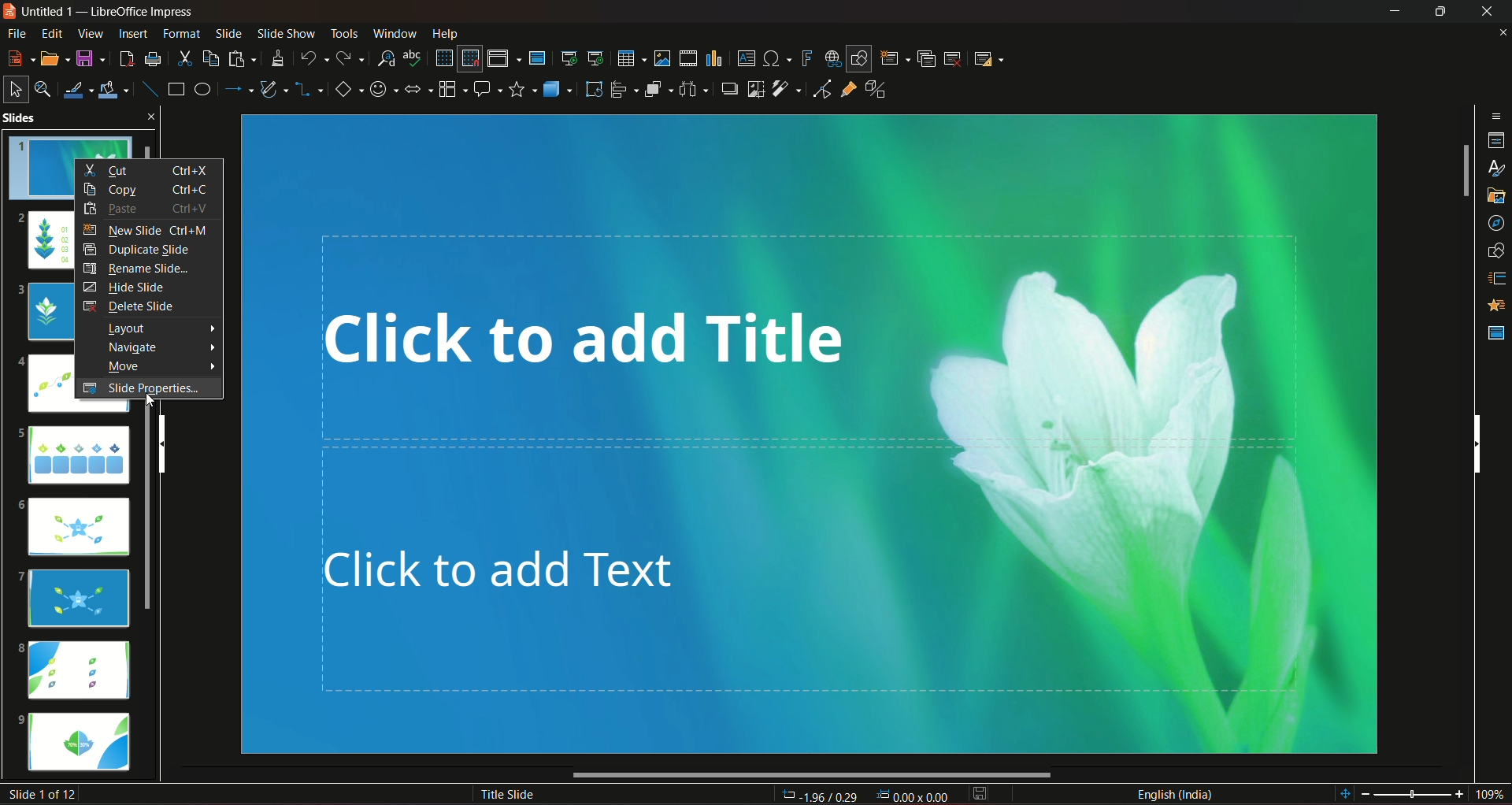  What do you see at coordinates (1494, 280) in the screenshot?
I see `slide transition` at bounding box center [1494, 280].